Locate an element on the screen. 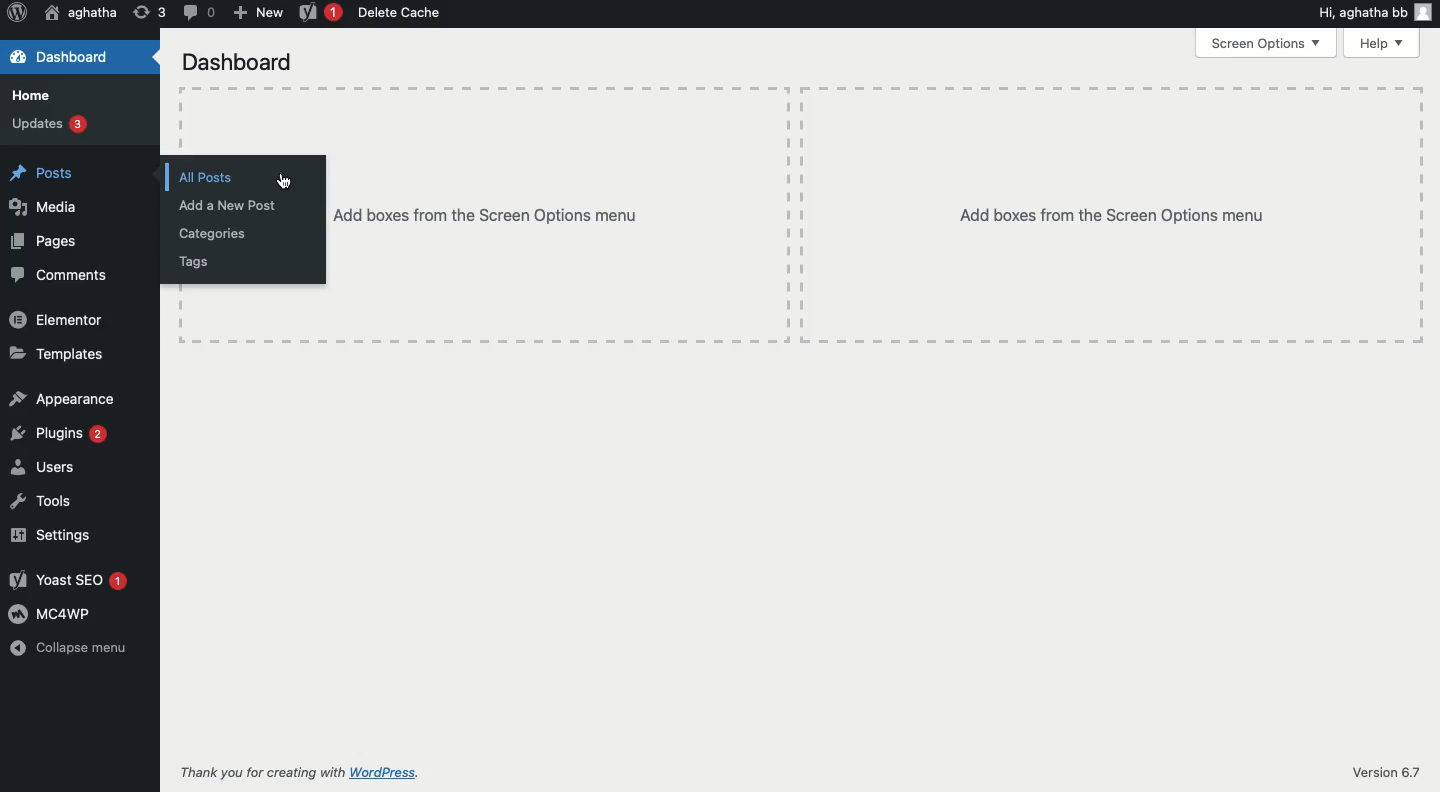  Comment is located at coordinates (194, 13).